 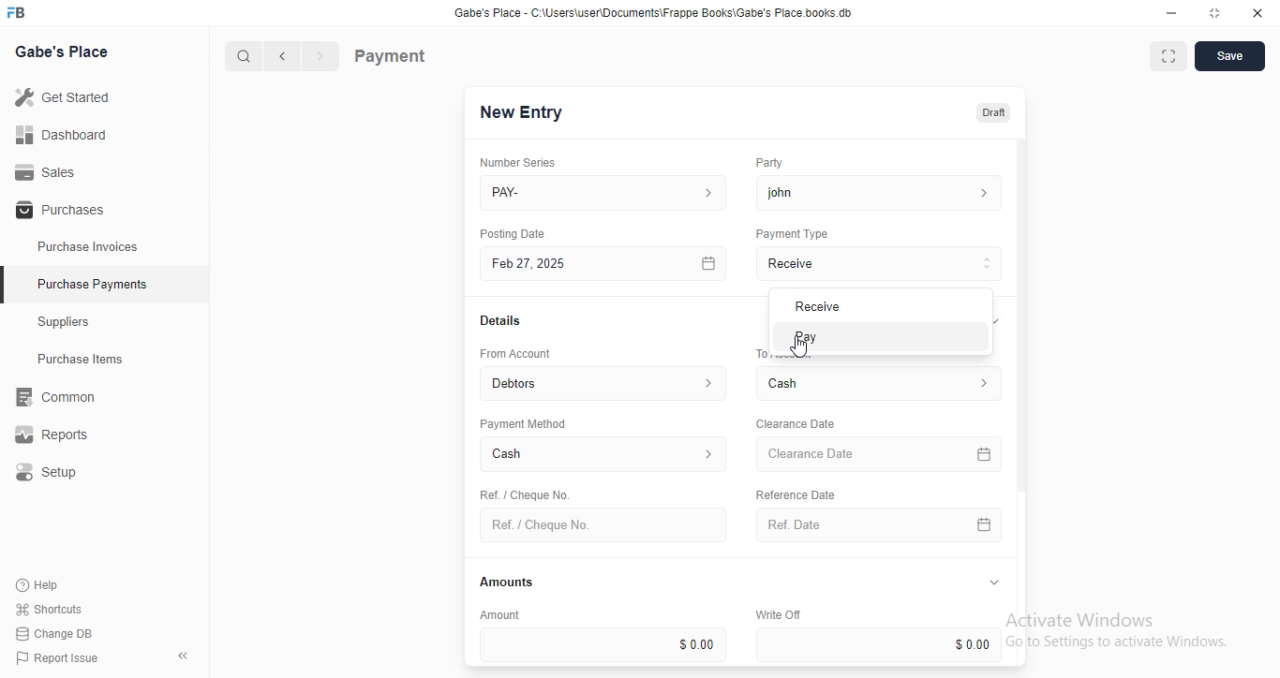 What do you see at coordinates (62, 96) in the screenshot?
I see `Get Started` at bounding box center [62, 96].